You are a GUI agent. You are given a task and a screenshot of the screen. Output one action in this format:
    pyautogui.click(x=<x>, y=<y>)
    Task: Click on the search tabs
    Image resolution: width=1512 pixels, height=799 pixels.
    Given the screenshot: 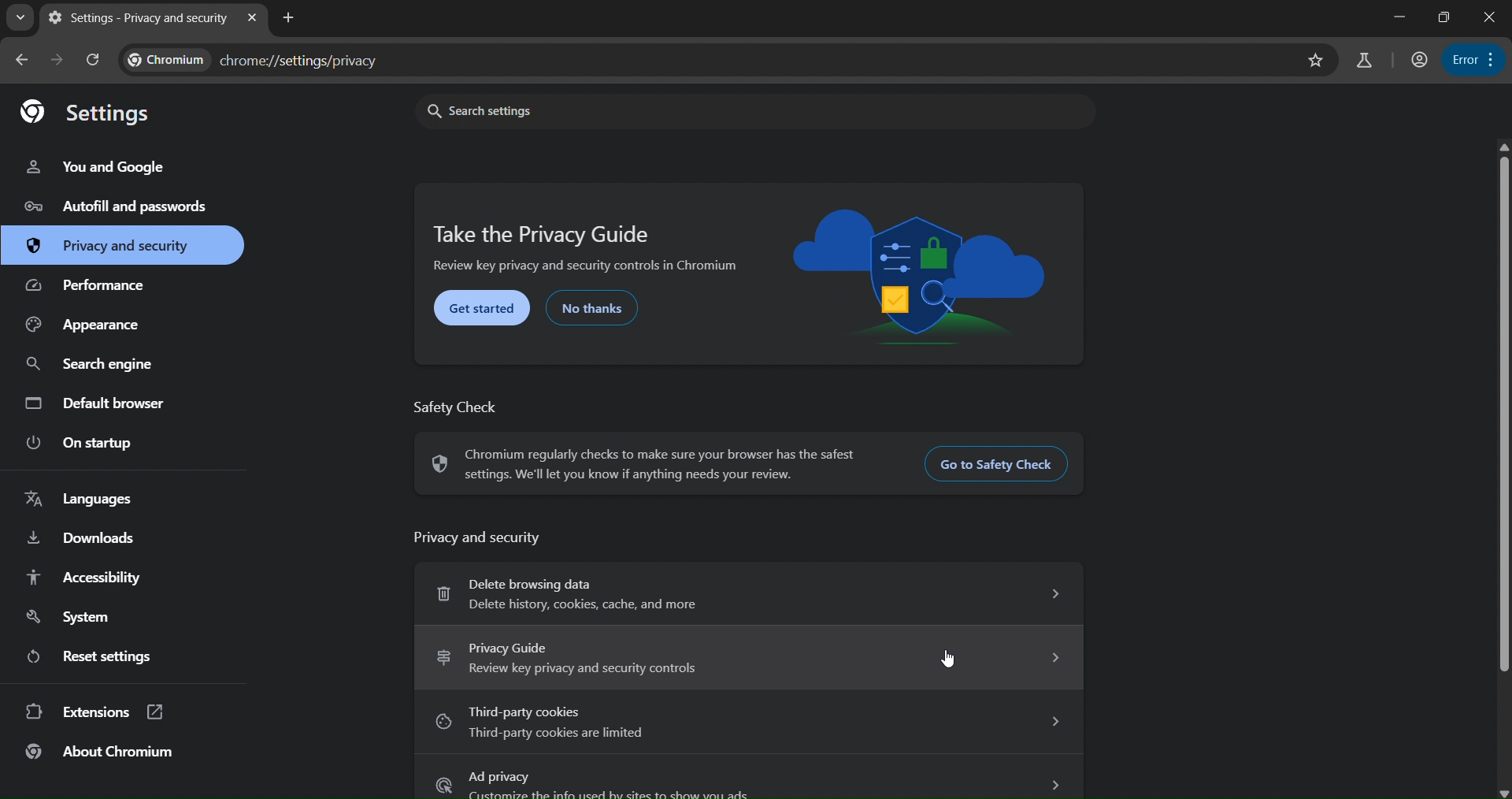 What is the action you would take?
    pyautogui.click(x=20, y=17)
    